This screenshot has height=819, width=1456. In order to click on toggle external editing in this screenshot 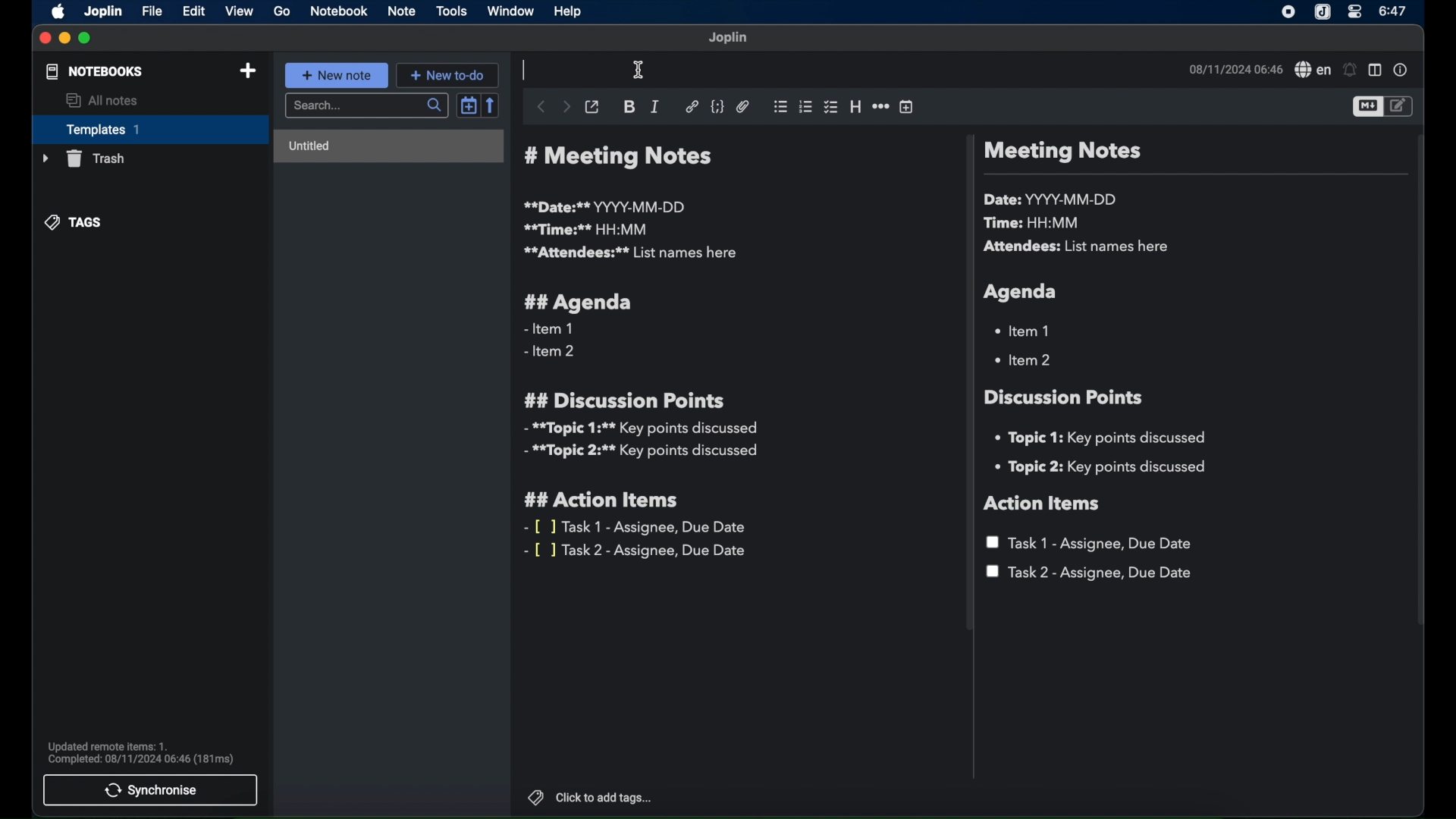, I will do `click(591, 106)`.